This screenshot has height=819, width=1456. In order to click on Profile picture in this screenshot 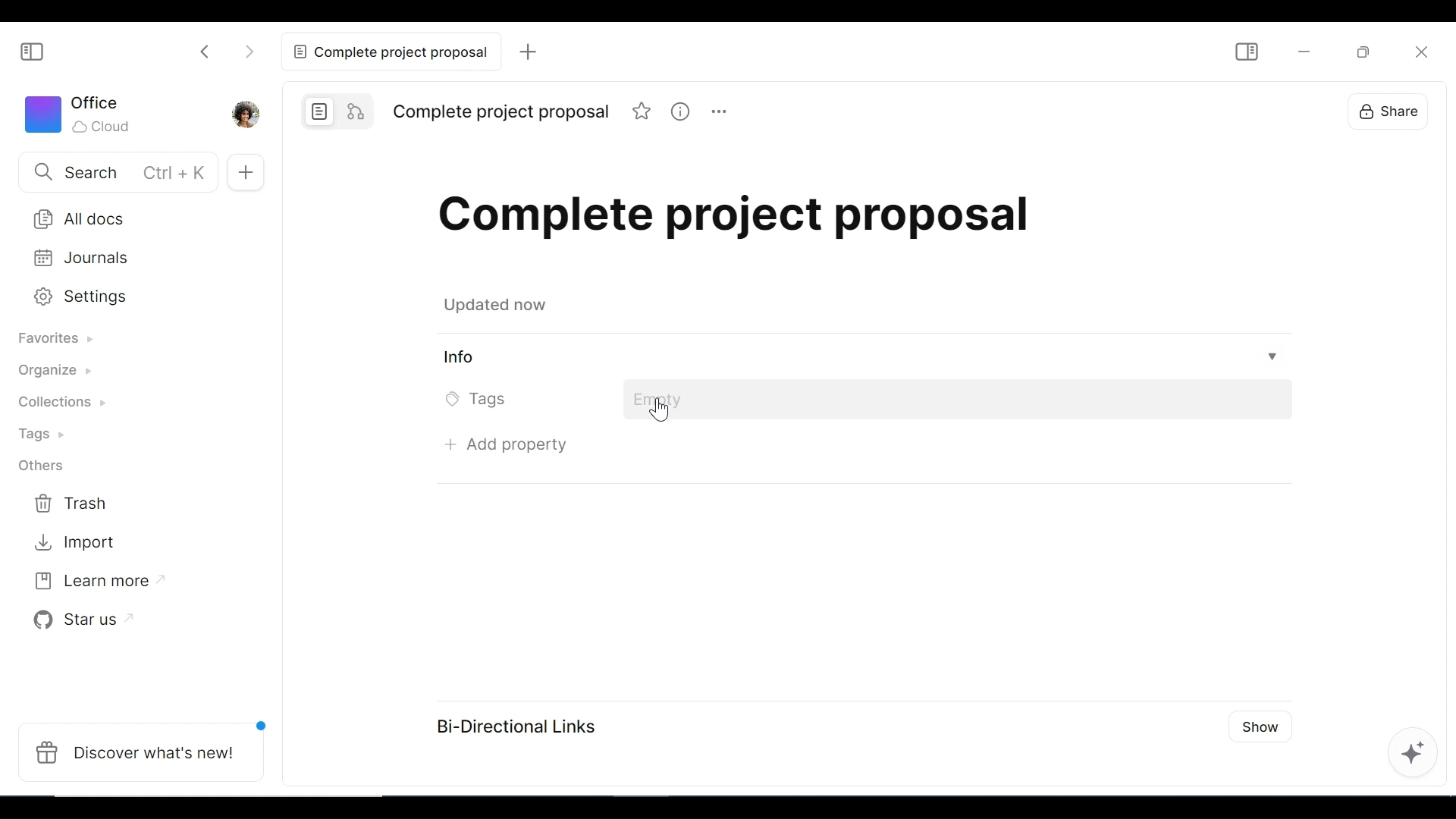, I will do `click(246, 113)`.